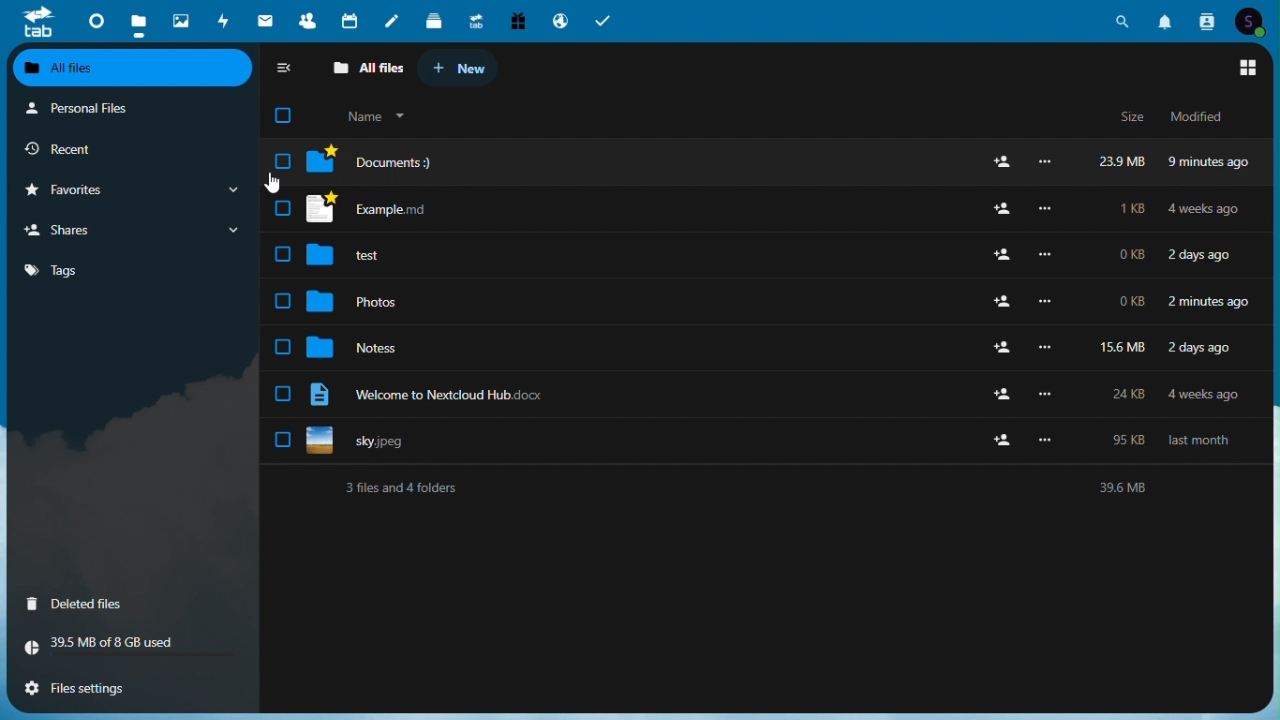 The height and width of the screenshot is (720, 1280). I want to click on Mouse pointer, so click(271, 183).